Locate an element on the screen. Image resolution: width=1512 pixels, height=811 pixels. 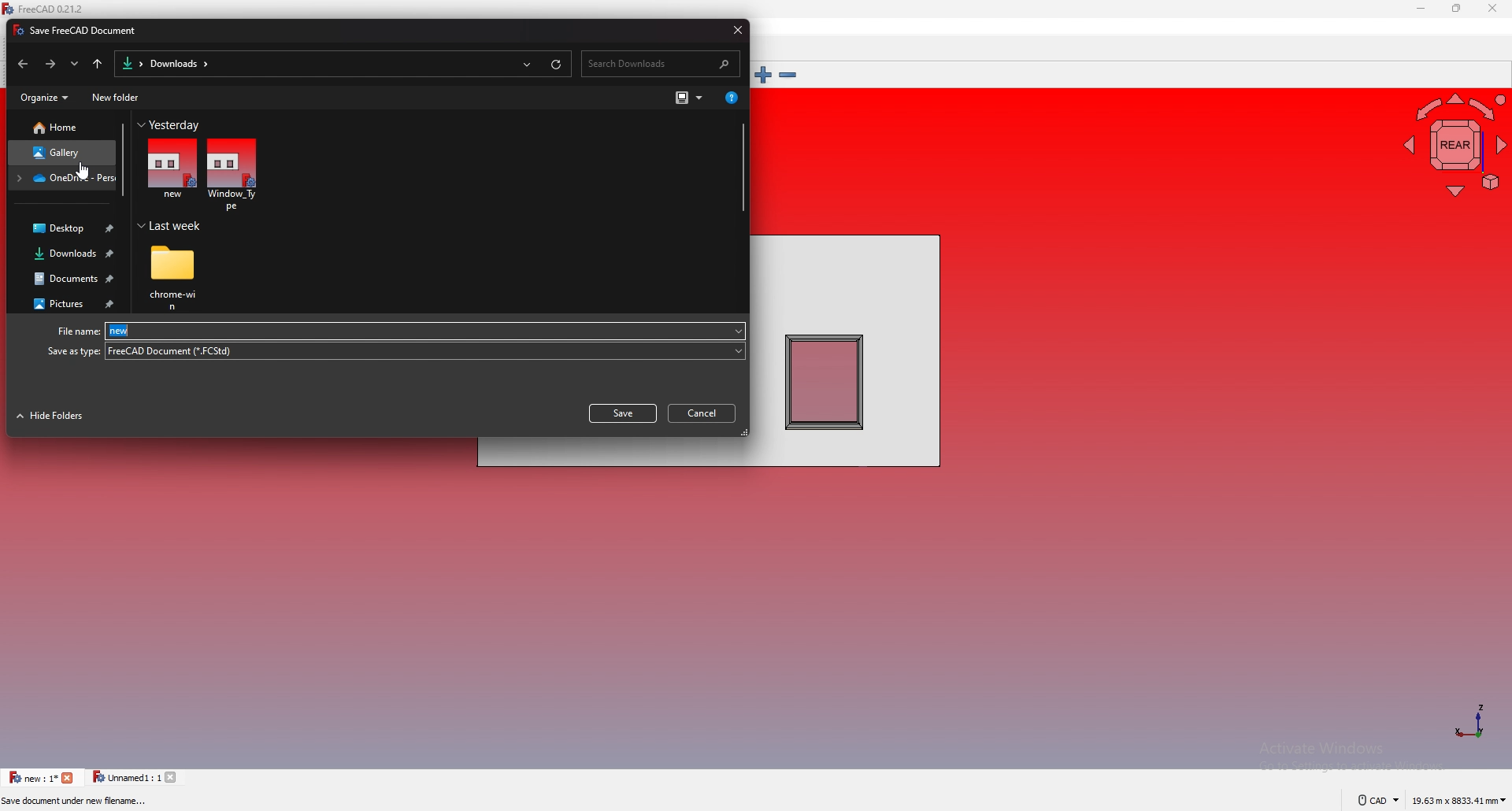
zoom in is located at coordinates (763, 75).